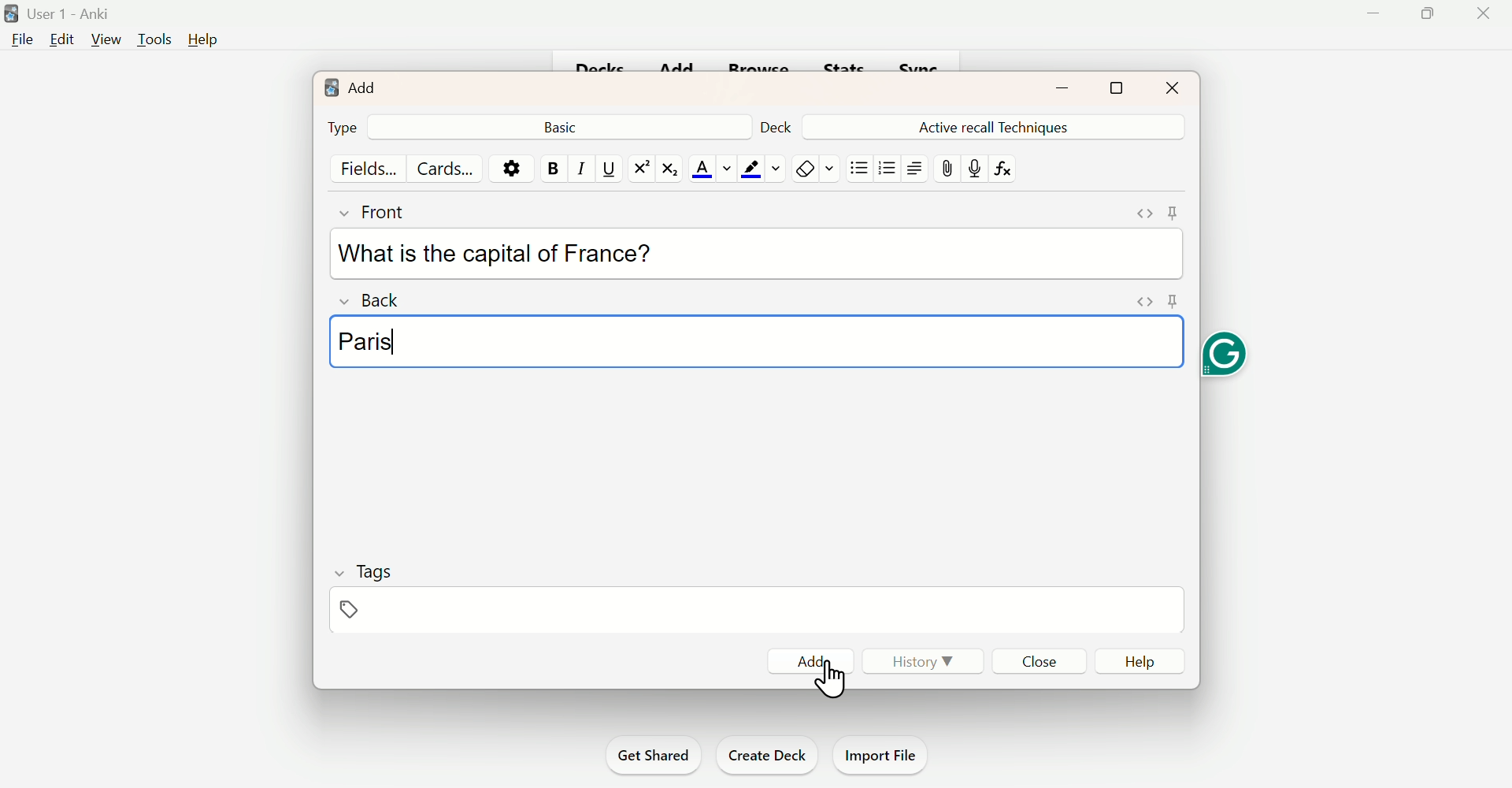  Describe the element at coordinates (860, 167) in the screenshot. I see `Unorganised List` at that location.